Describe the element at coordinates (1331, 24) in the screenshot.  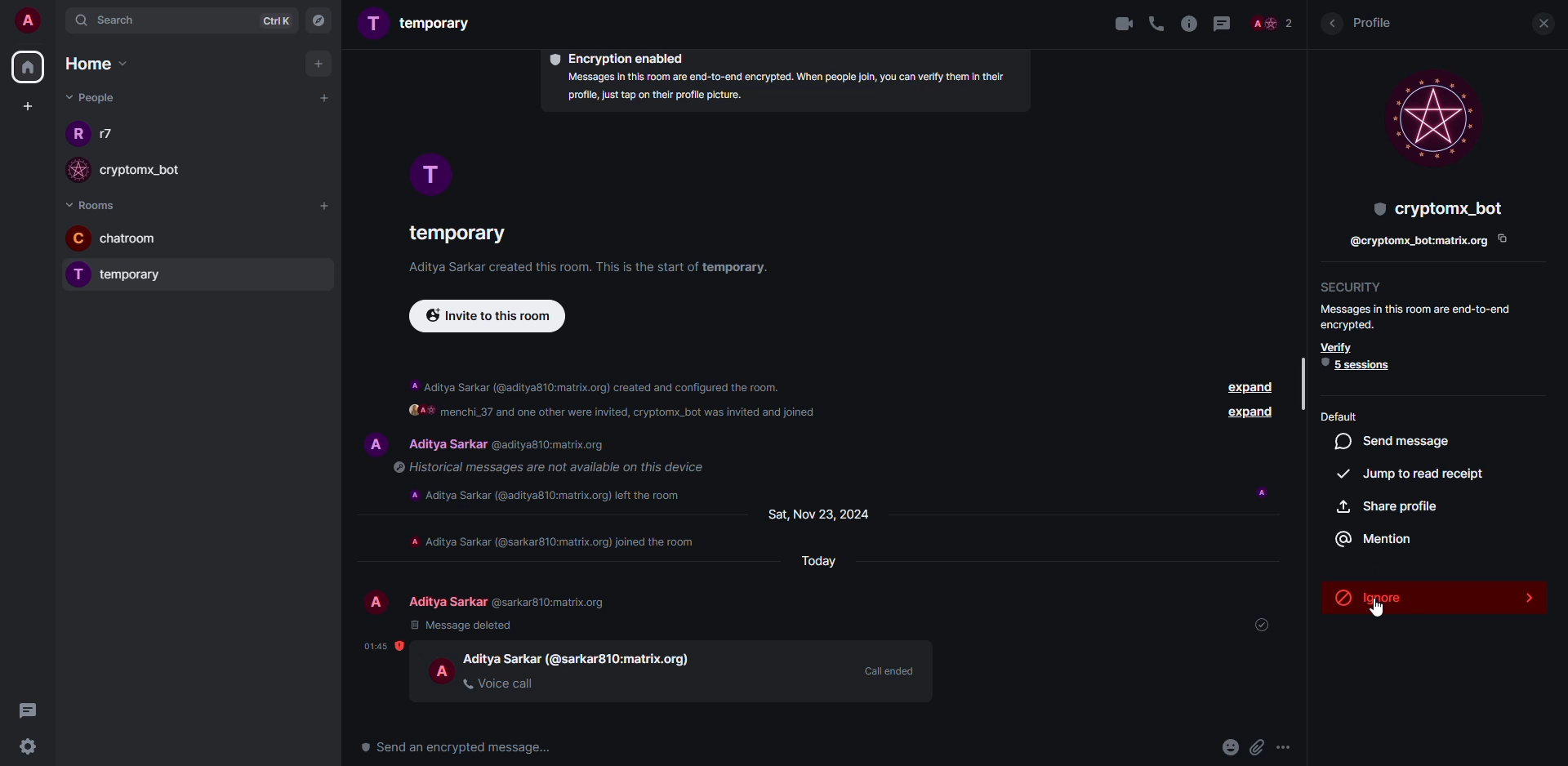
I see `back` at that location.